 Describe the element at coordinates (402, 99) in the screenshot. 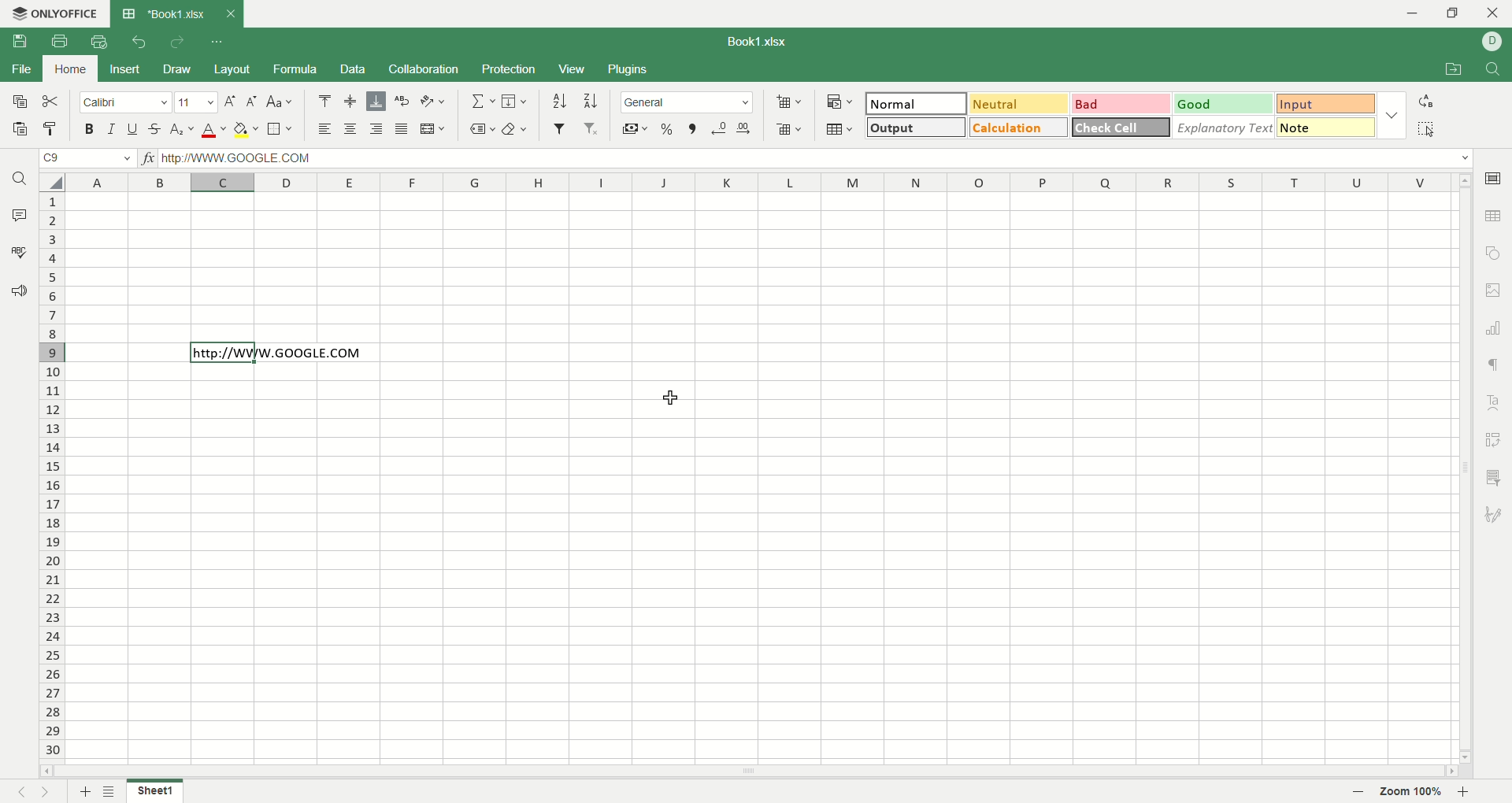

I see `wrap text` at that location.